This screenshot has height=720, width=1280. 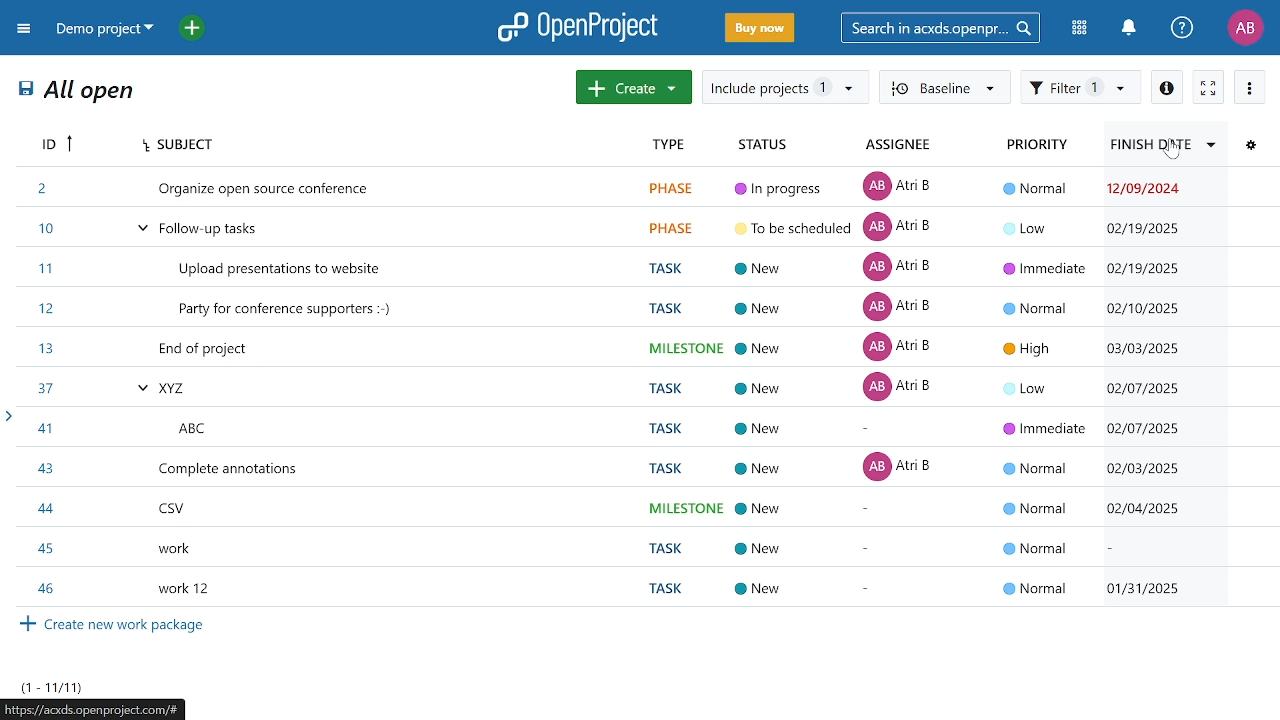 What do you see at coordinates (648, 228) in the screenshot?
I see `task titled "Follow up tasks"` at bounding box center [648, 228].